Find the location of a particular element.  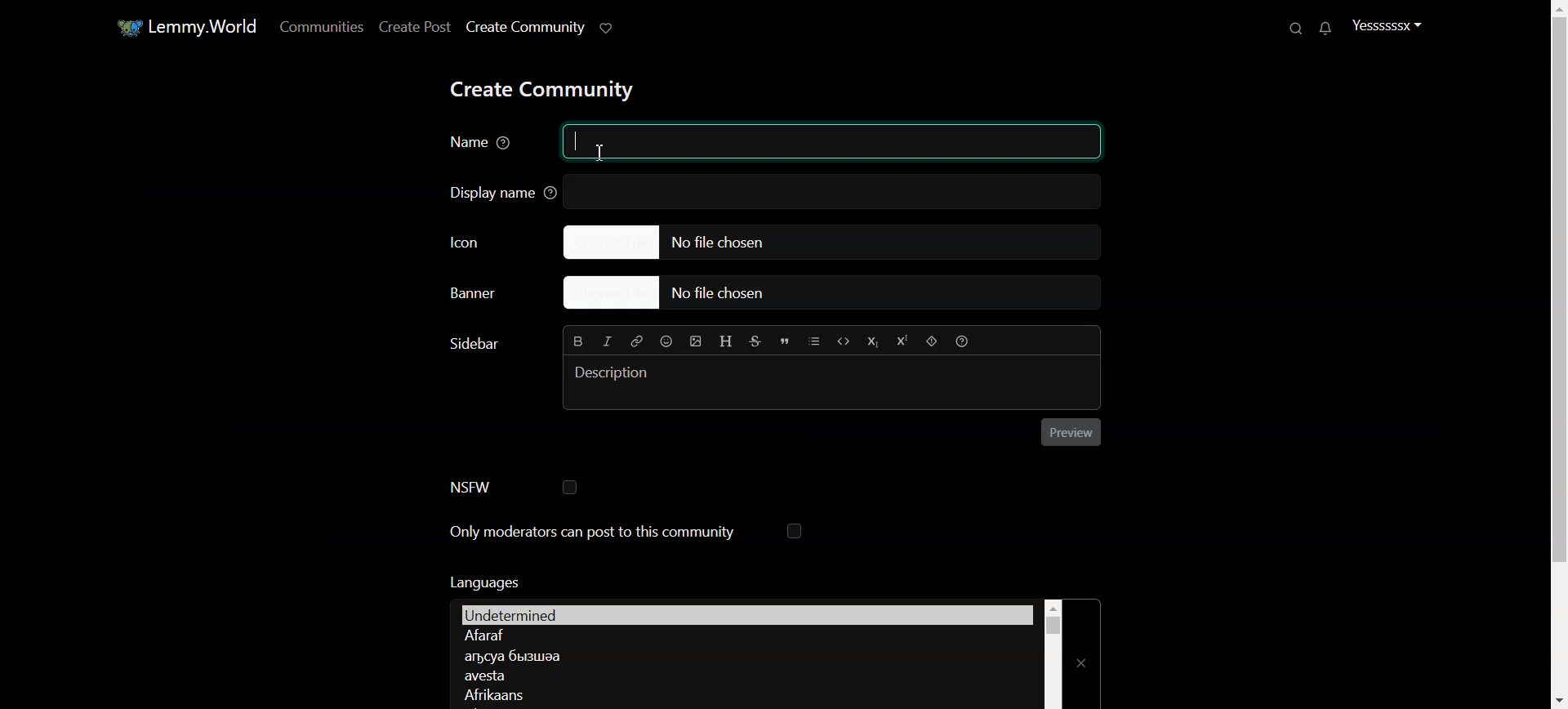

Spoiler is located at coordinates (932, 341).